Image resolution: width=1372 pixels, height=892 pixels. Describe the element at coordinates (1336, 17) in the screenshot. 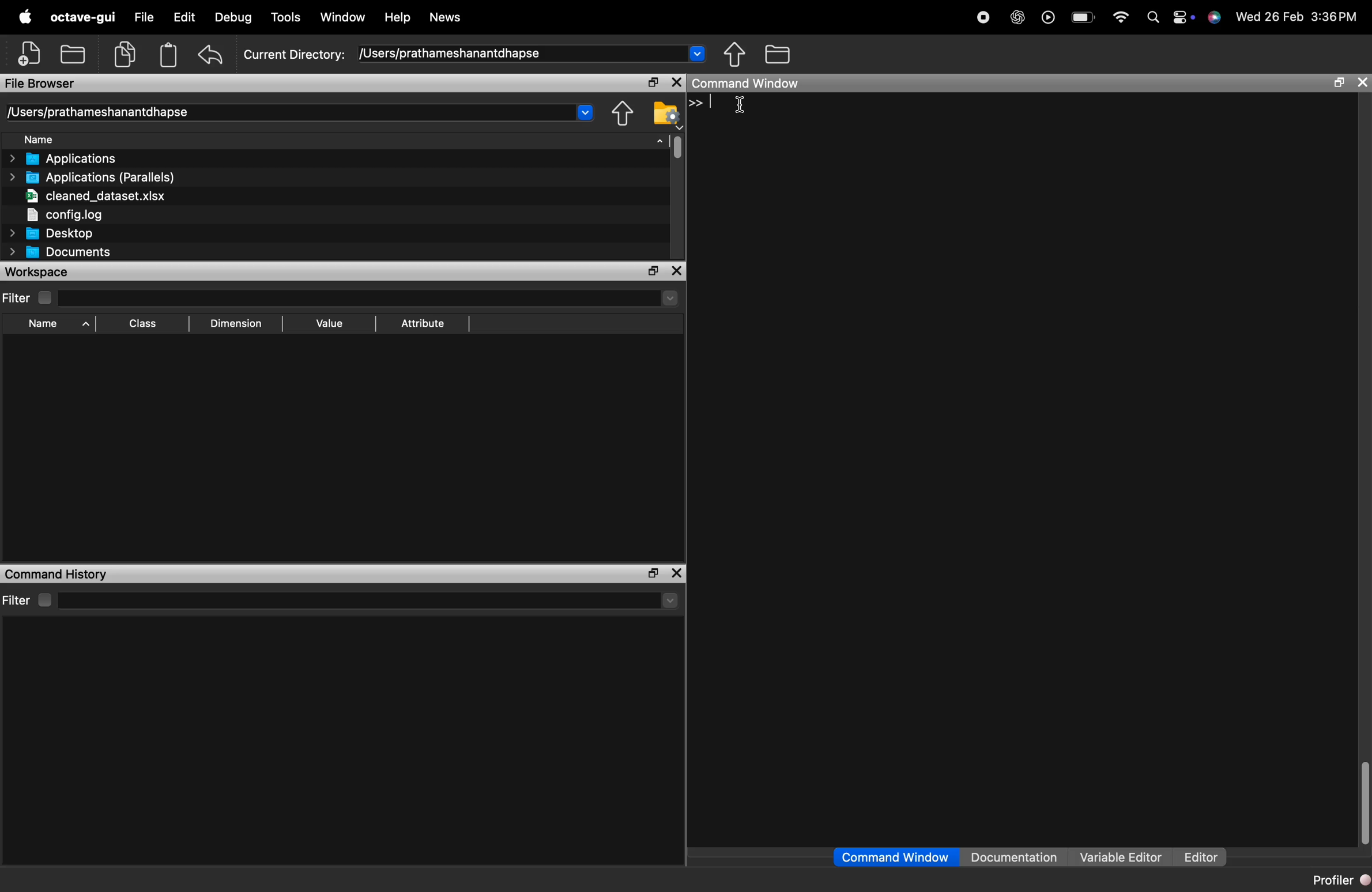

I see `3:36 PM` at that location.